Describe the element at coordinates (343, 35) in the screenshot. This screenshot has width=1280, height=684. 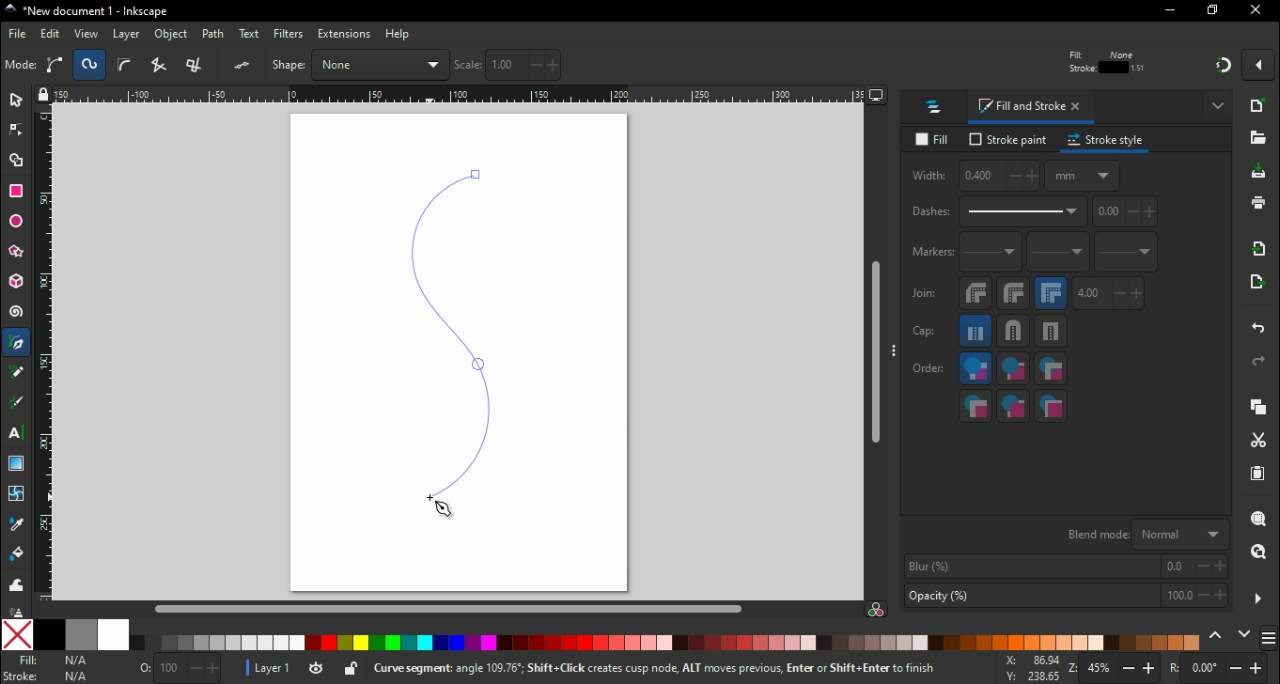
I see `extensions` at that location.